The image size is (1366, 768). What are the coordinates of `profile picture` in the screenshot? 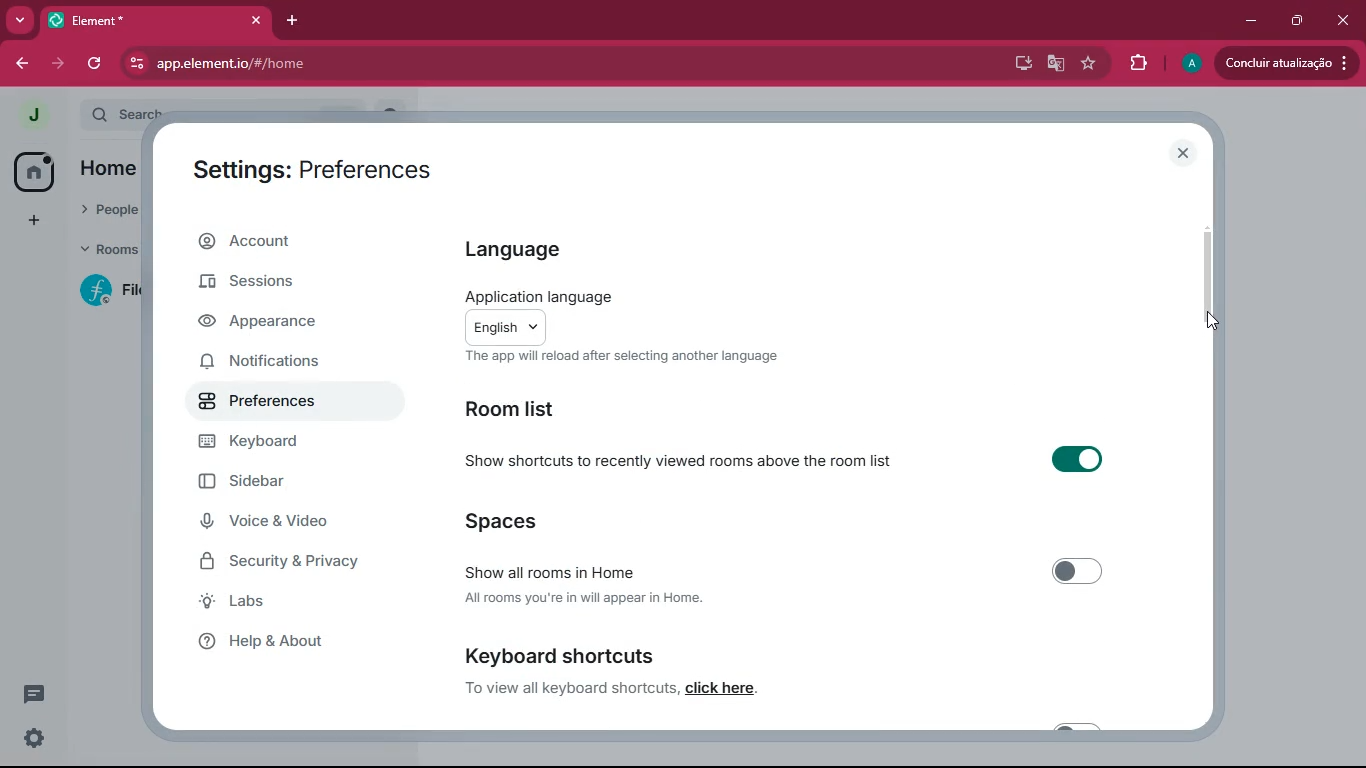 It's located at (28, 114).